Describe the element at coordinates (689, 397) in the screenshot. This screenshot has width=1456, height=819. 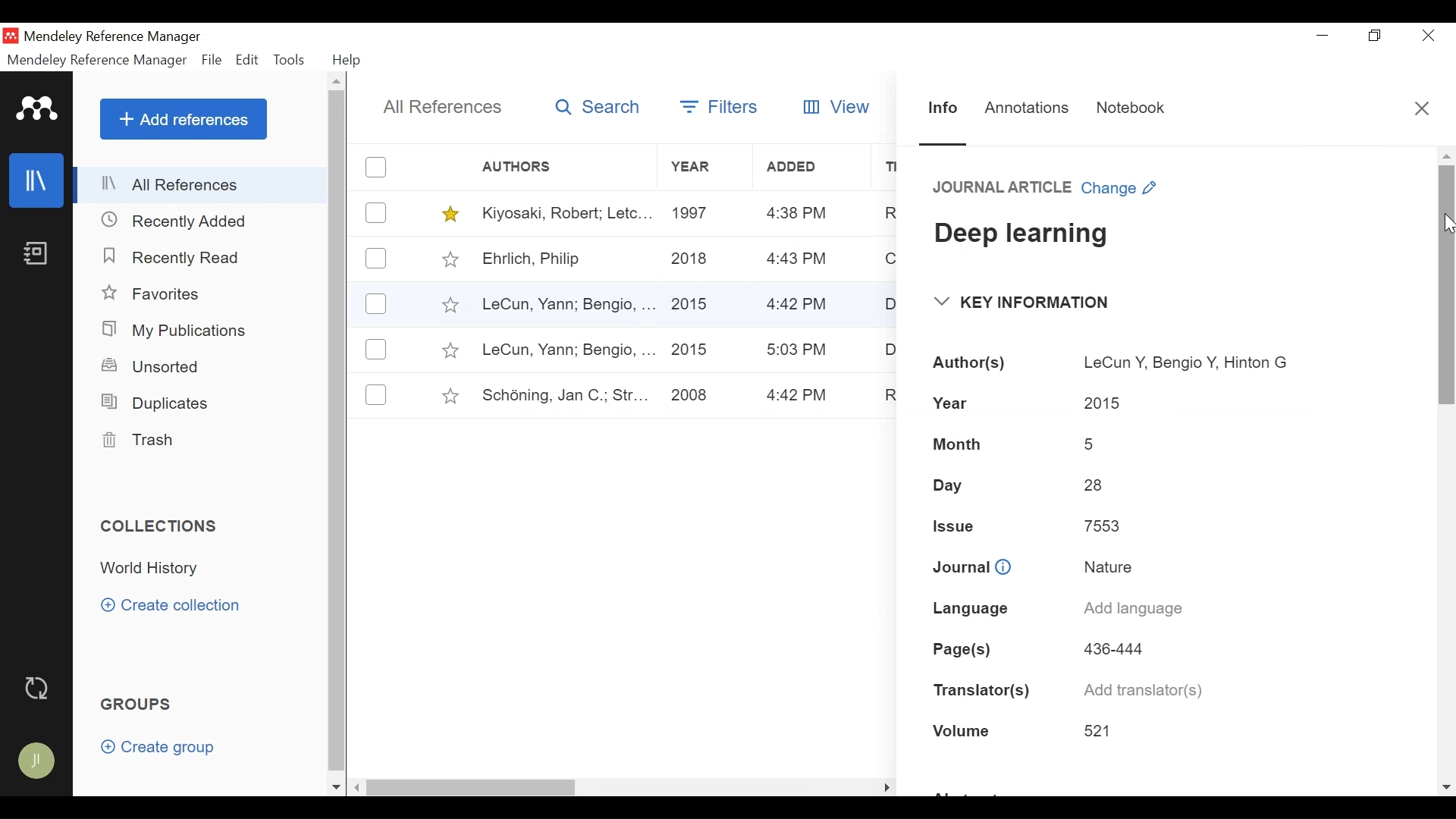
I see `2008` at that location.